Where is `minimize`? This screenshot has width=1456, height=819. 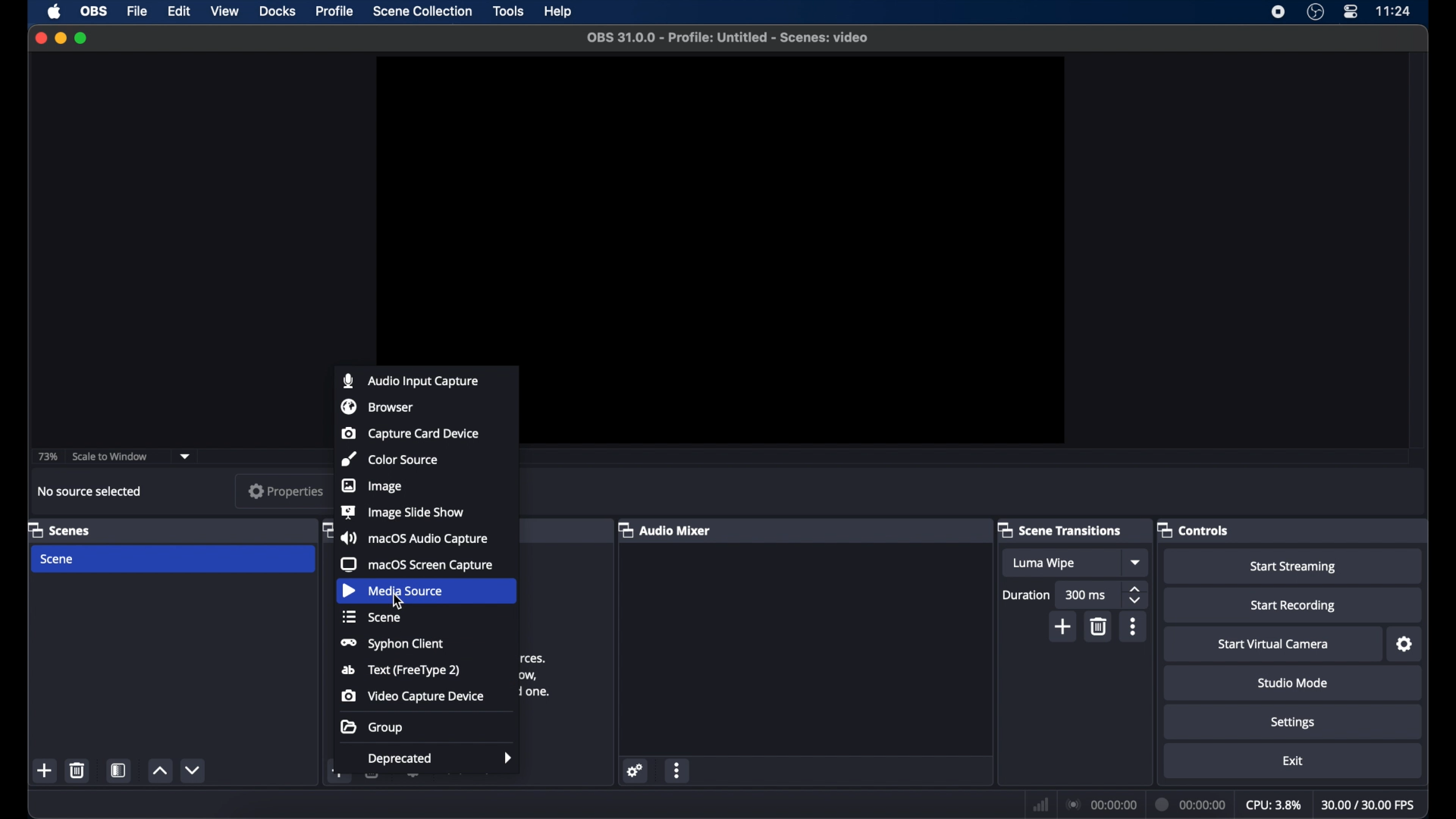
minimize is located at coordinates (60, 38).